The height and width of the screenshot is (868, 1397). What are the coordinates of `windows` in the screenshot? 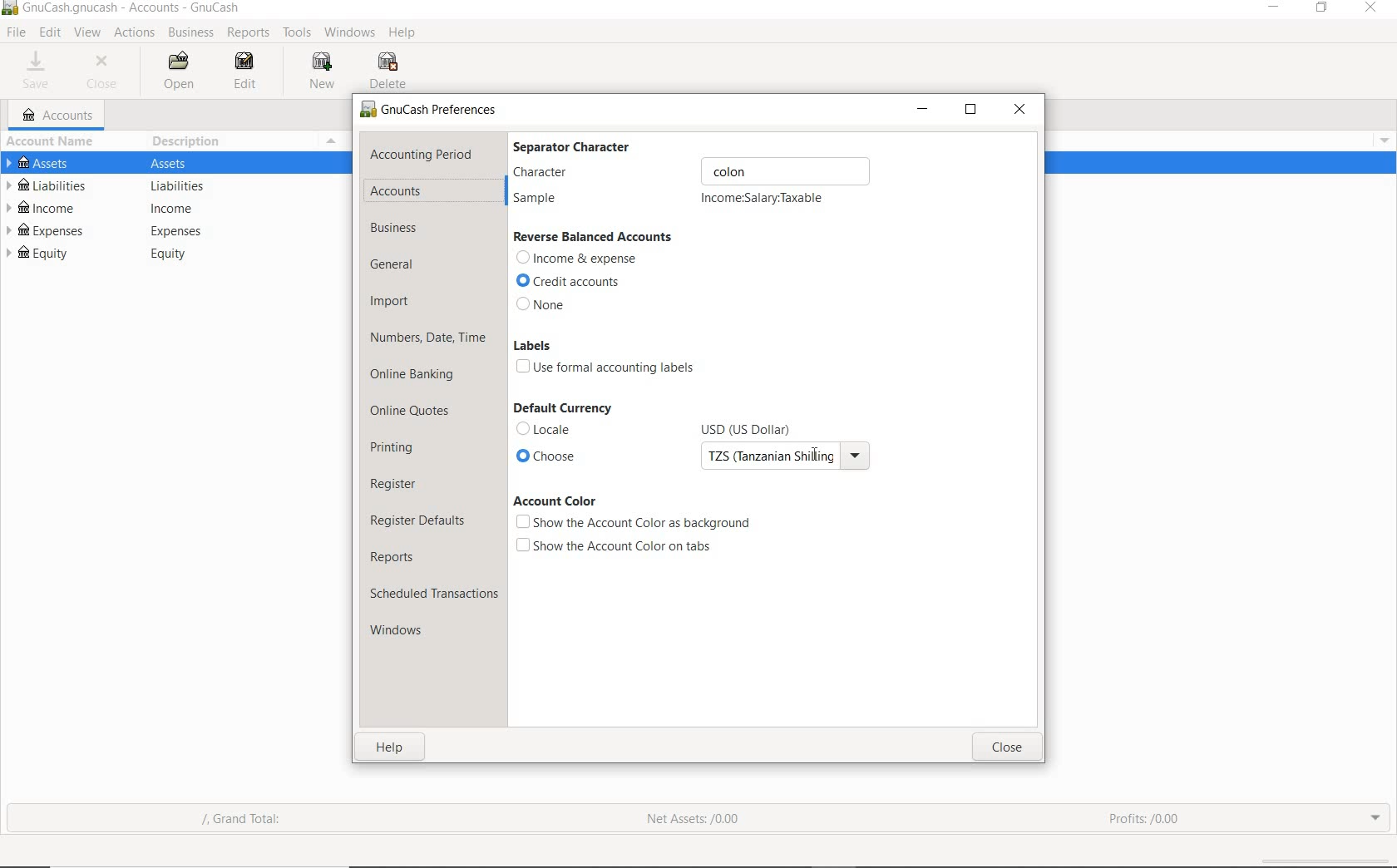 It's located at (409, 633).